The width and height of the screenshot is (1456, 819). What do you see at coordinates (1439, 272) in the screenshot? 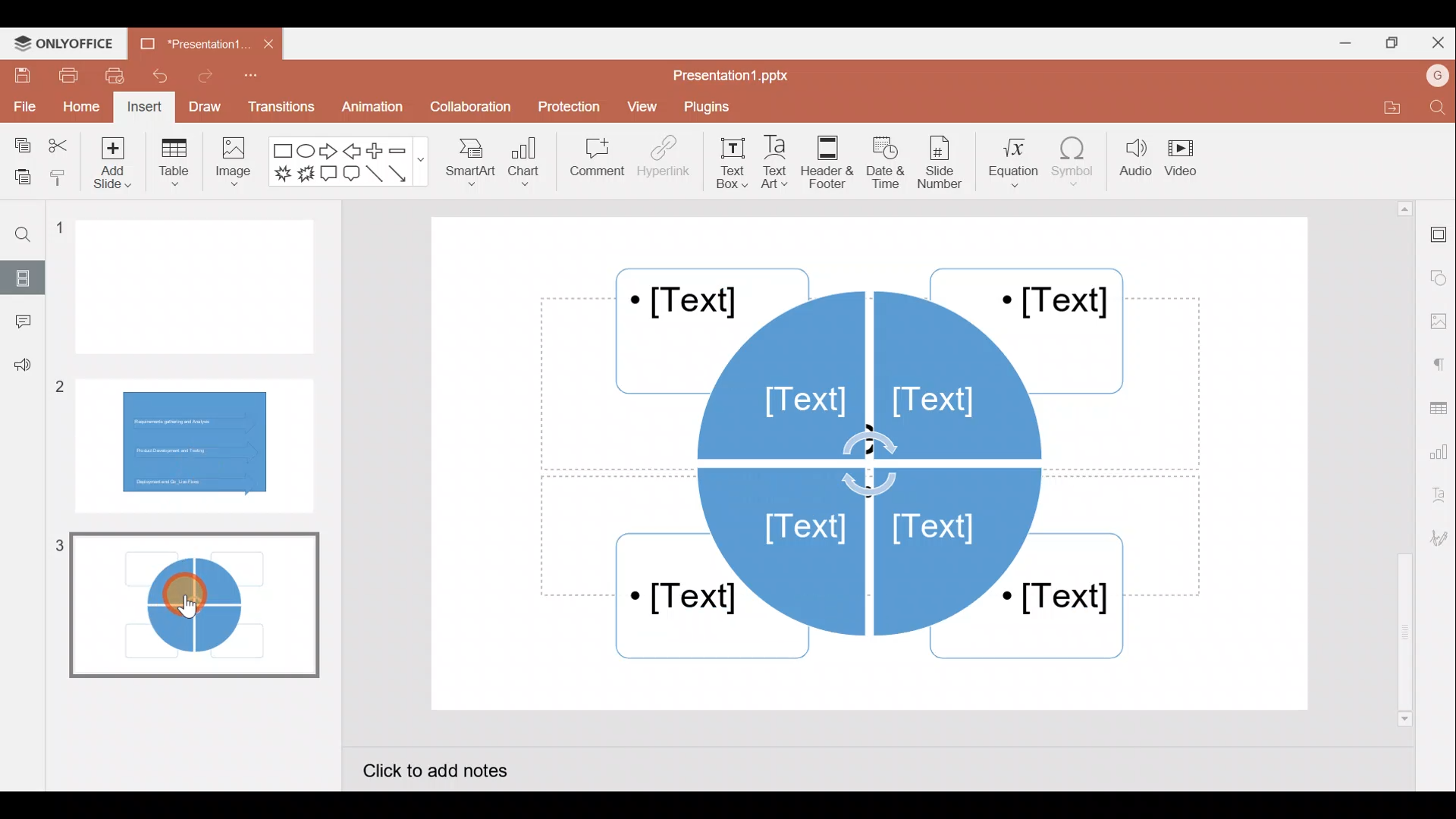
I see `Shape settings` at bounding box center [1439, 272].